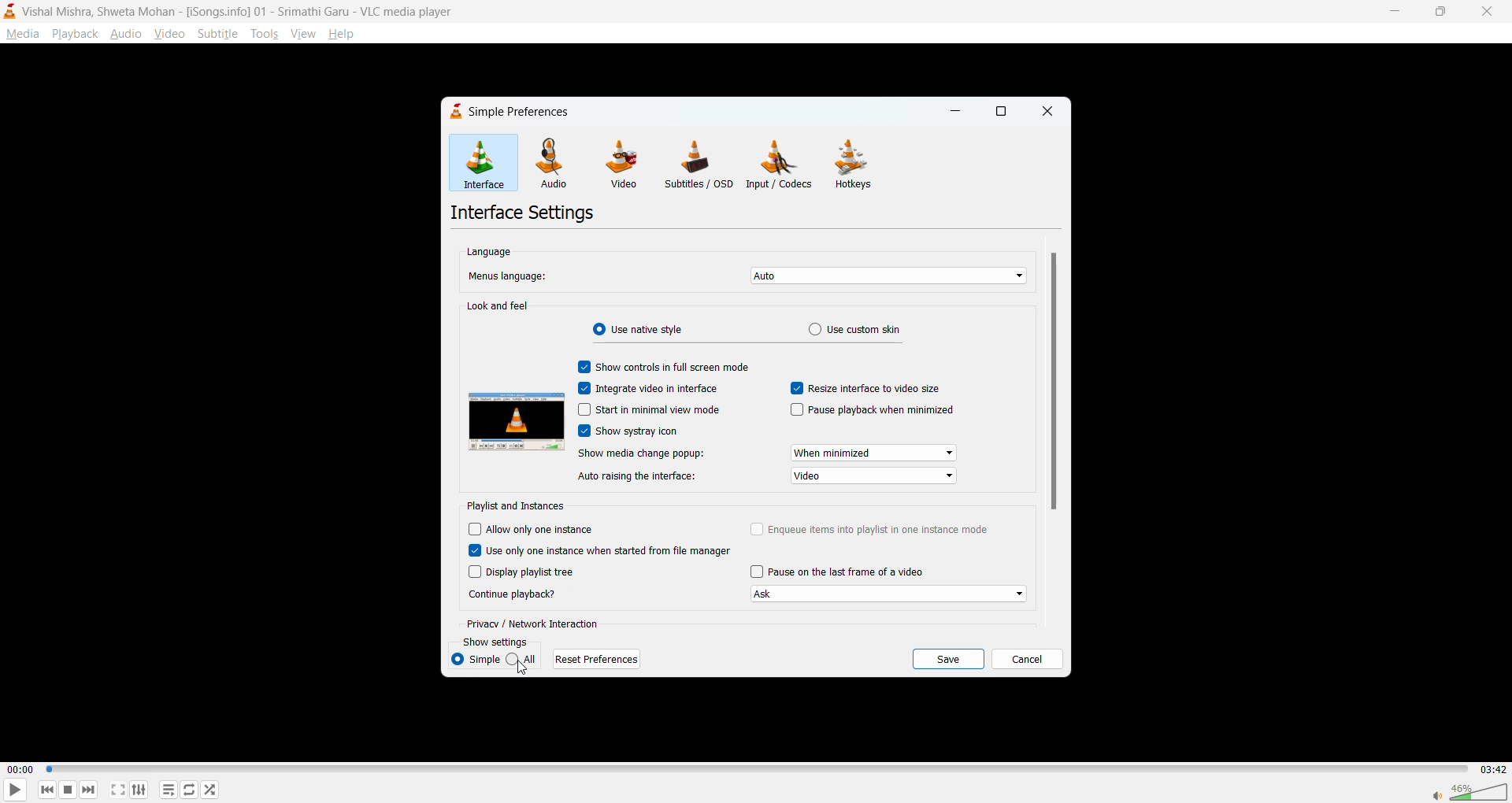  Describe the element at coordinates (9, 791) in the screenshot. I see `play` at that location.